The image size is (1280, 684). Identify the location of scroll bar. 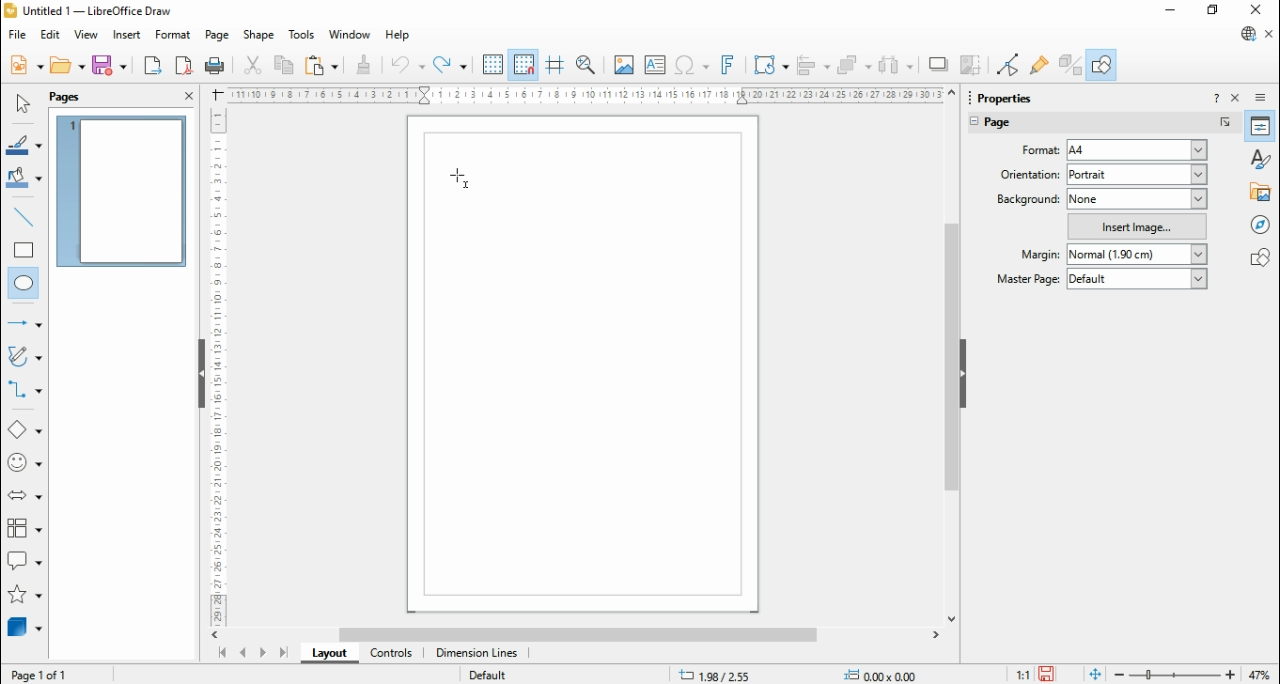
(582, 634).